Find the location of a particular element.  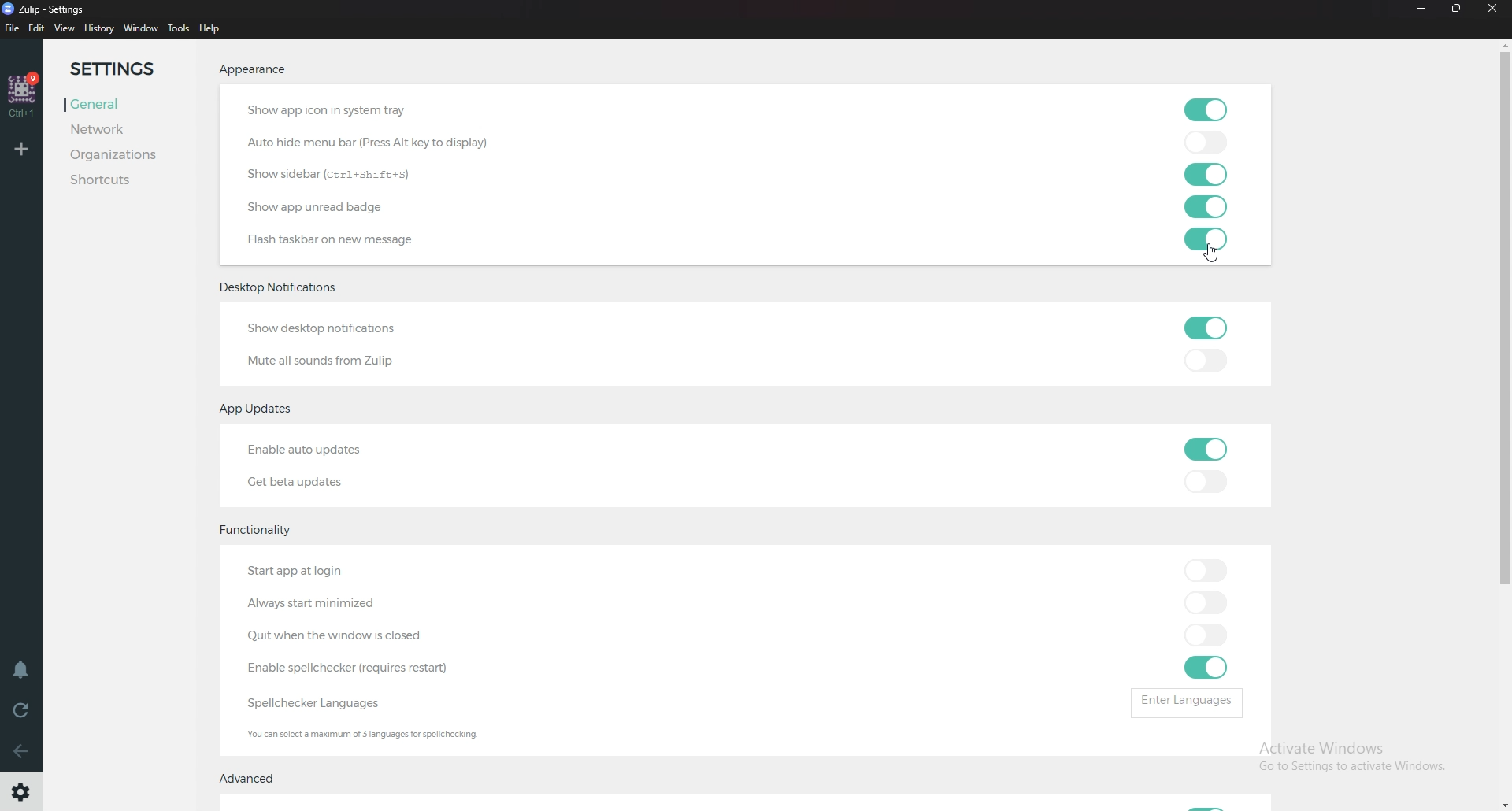

Enable do not disturb is located at coordinates (20, 668).